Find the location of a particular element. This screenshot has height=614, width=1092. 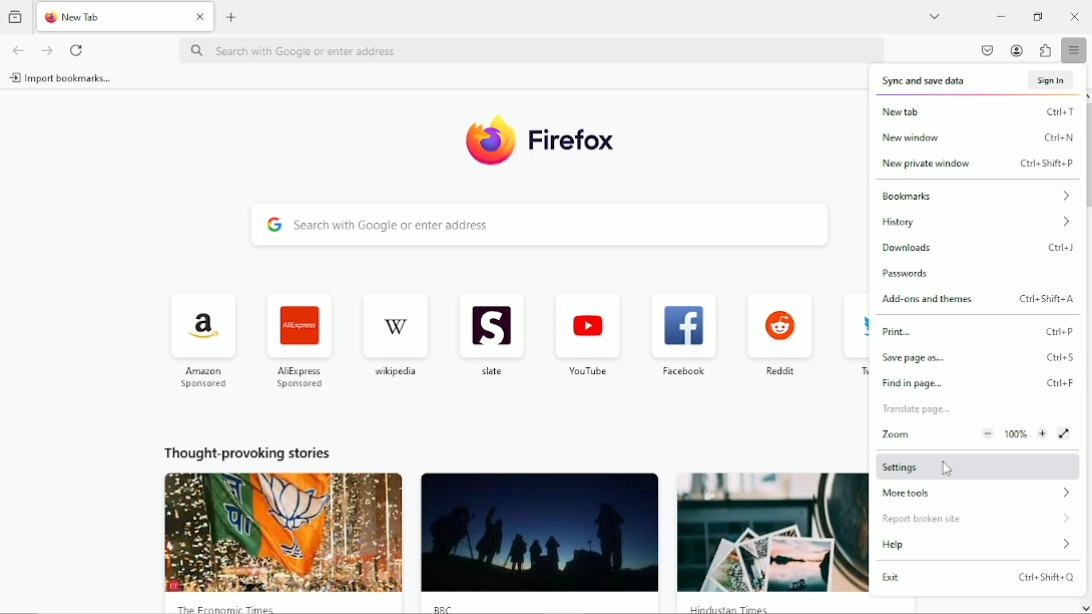

reddit is located at coordinates (779, 319).